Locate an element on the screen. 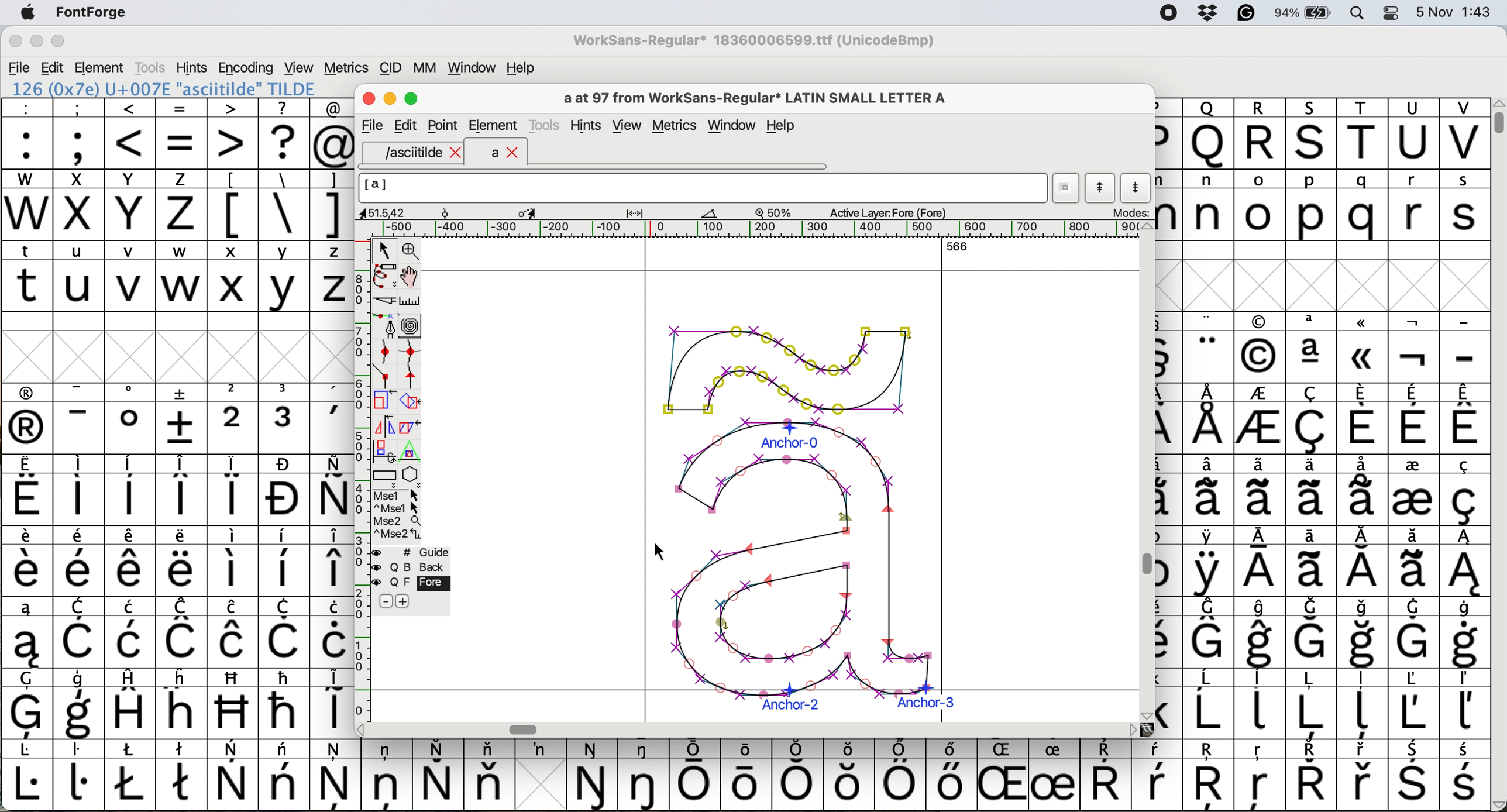  element is located at coordinates (101, 67).